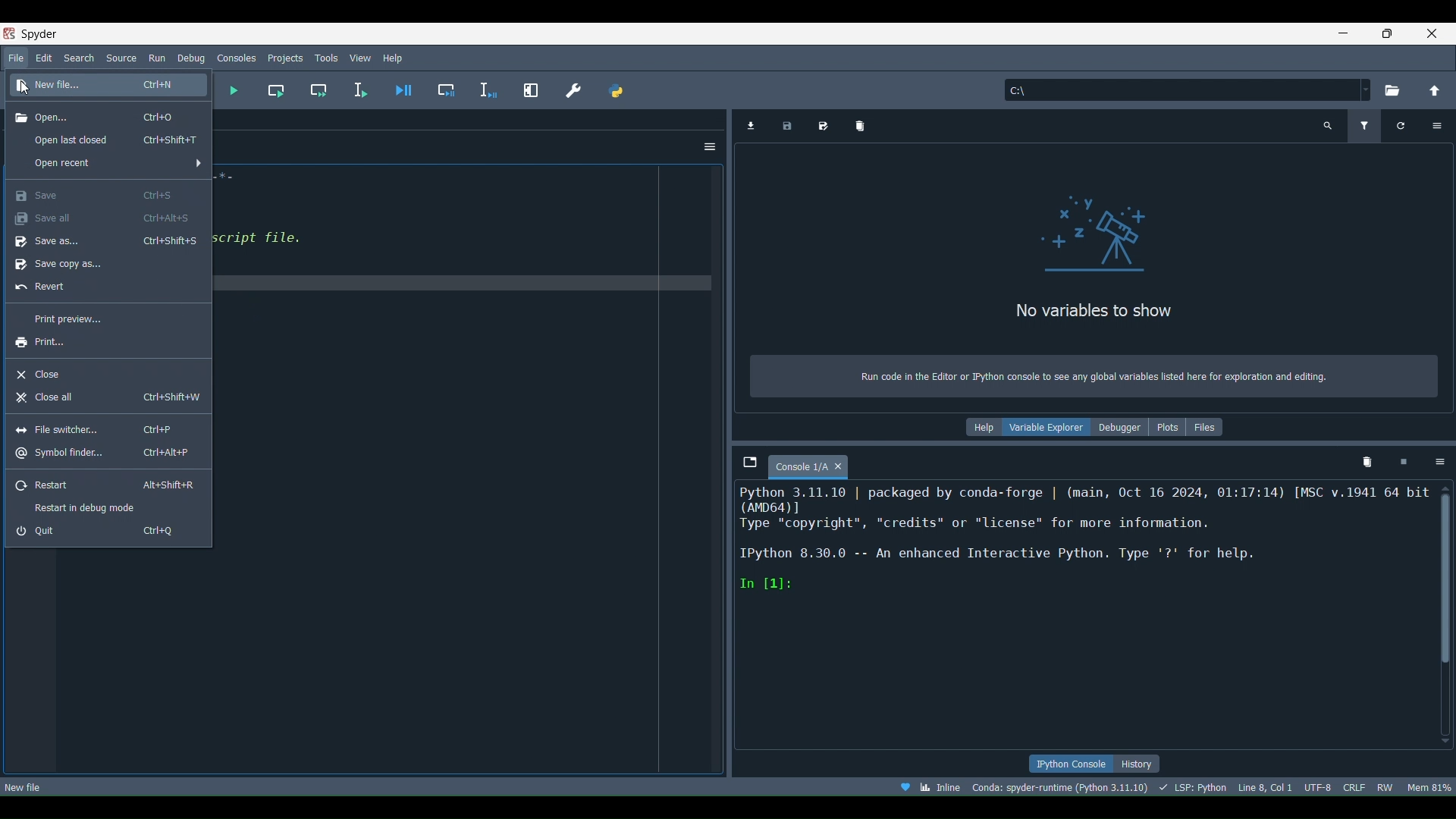 The width and height of the screenshot is (1456, 819). Describe the element at coordinates (1361, 125) in the screenshot. I see `Filter variables` at that location.